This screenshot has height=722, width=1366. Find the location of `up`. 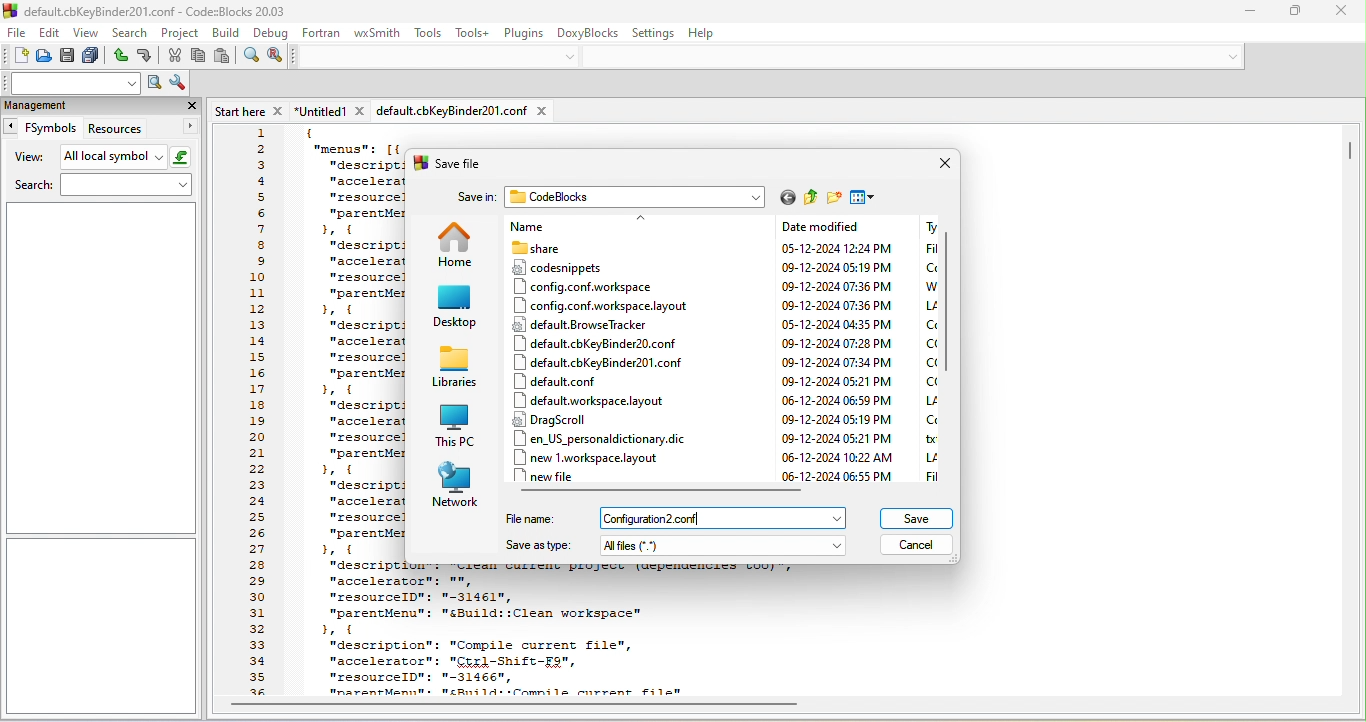

up is located at coordinates (643, 220).